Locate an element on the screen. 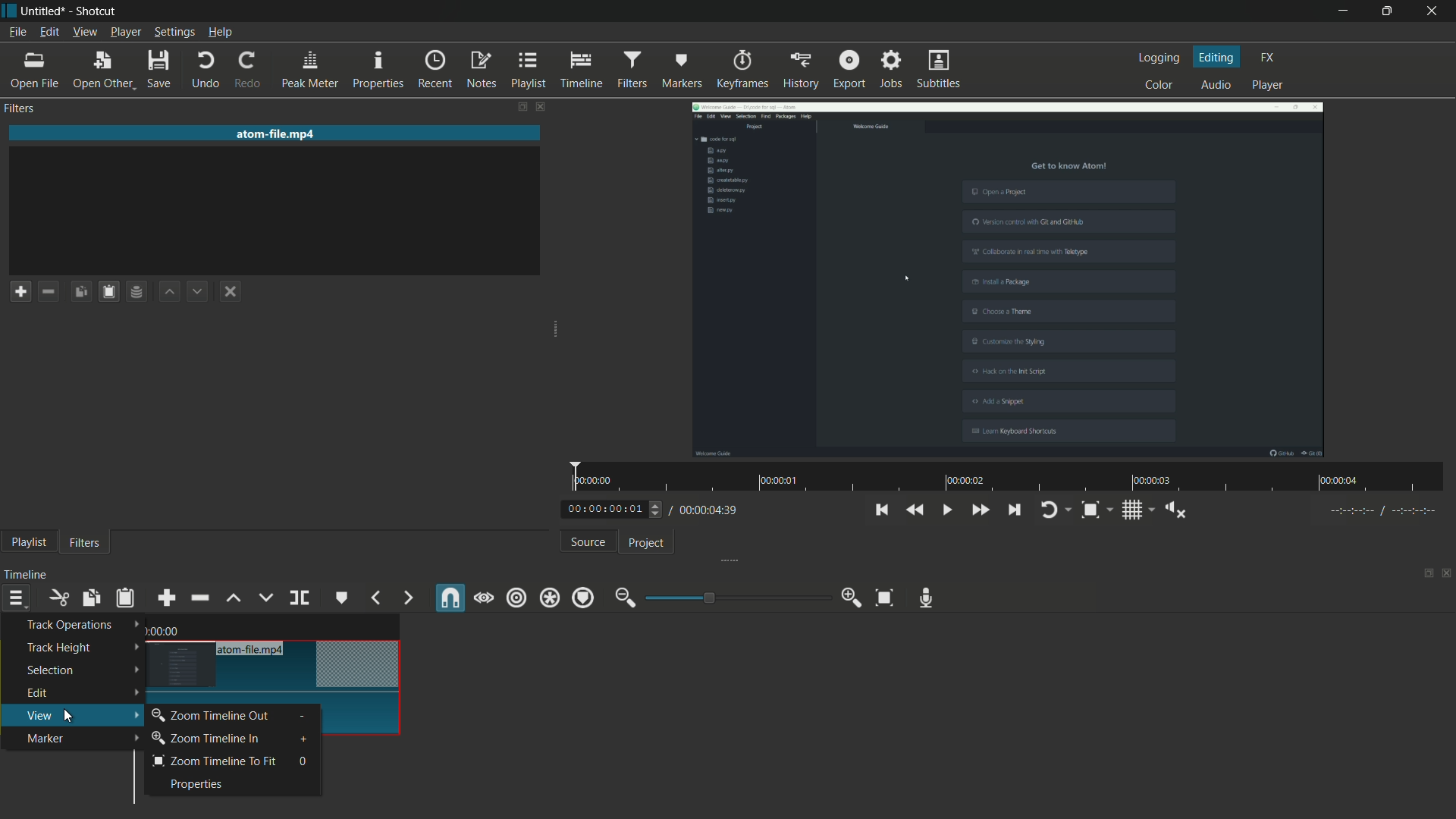  ripple is located at coordinates (516, 600).